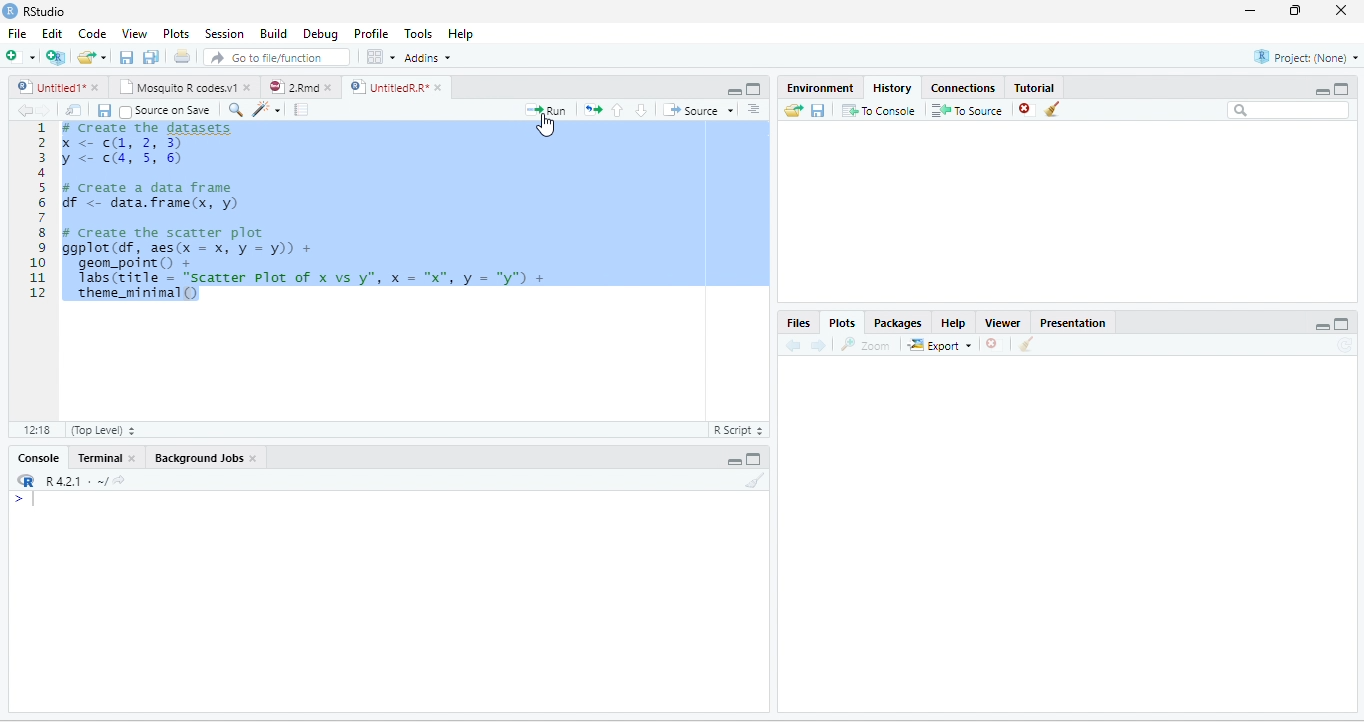 The image size is (1364, 722). I want to click on R, so click(25, 480).